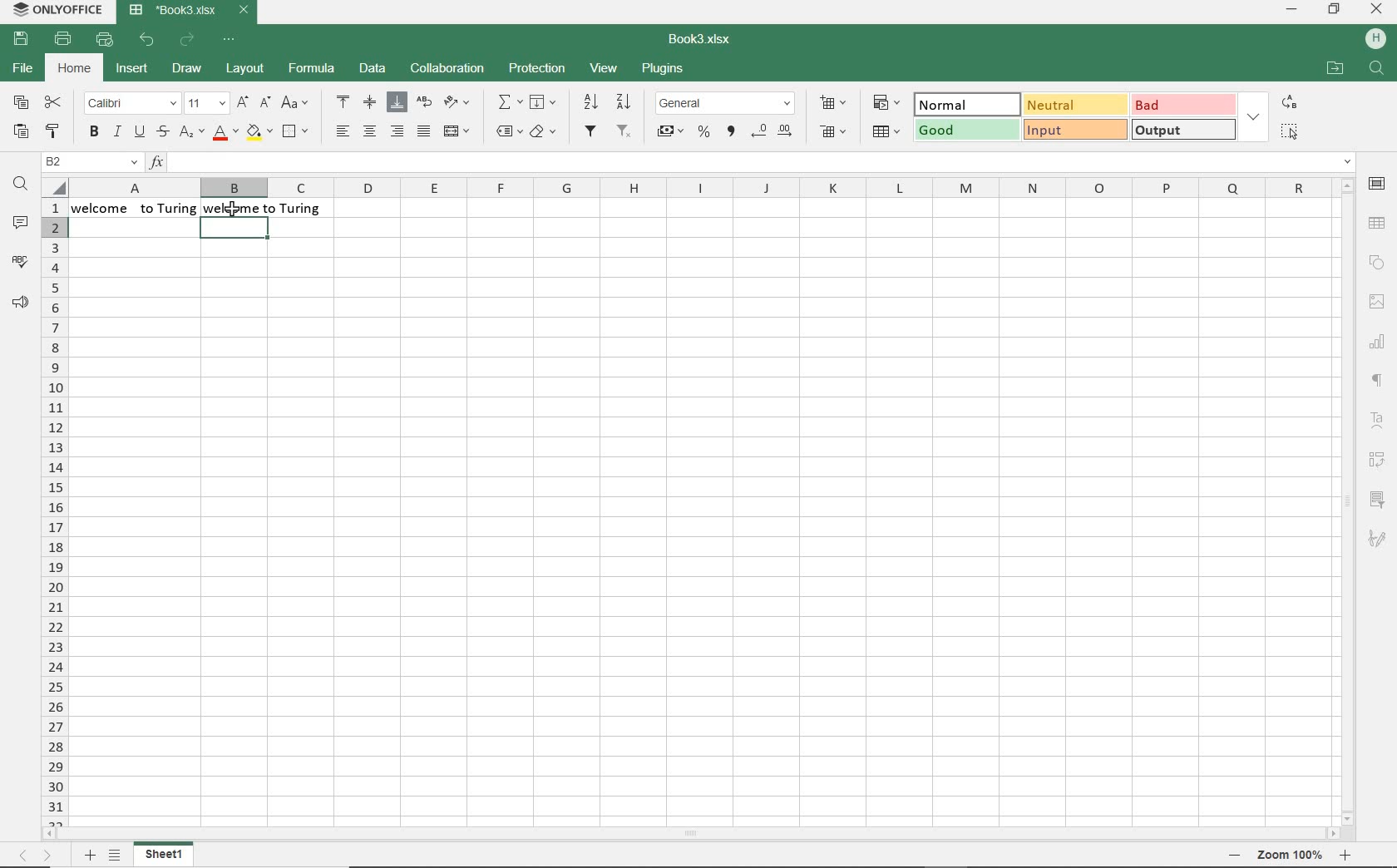 The height and width of the screenshot is (868, 1397). I want to click on feedback & support, so click(19, 303).